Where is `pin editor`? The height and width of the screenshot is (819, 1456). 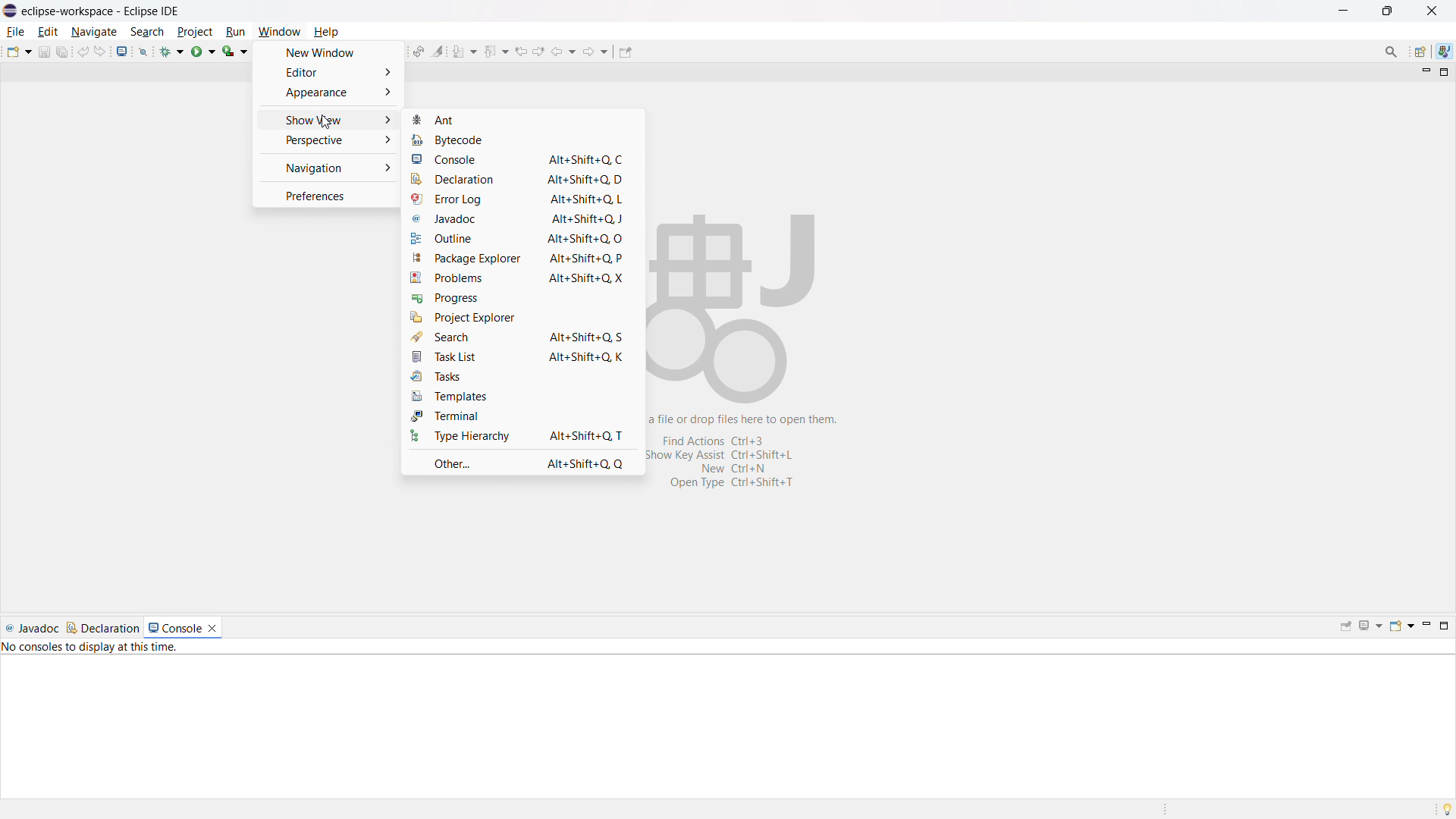
pin editor is located at coordinates (626, 53).